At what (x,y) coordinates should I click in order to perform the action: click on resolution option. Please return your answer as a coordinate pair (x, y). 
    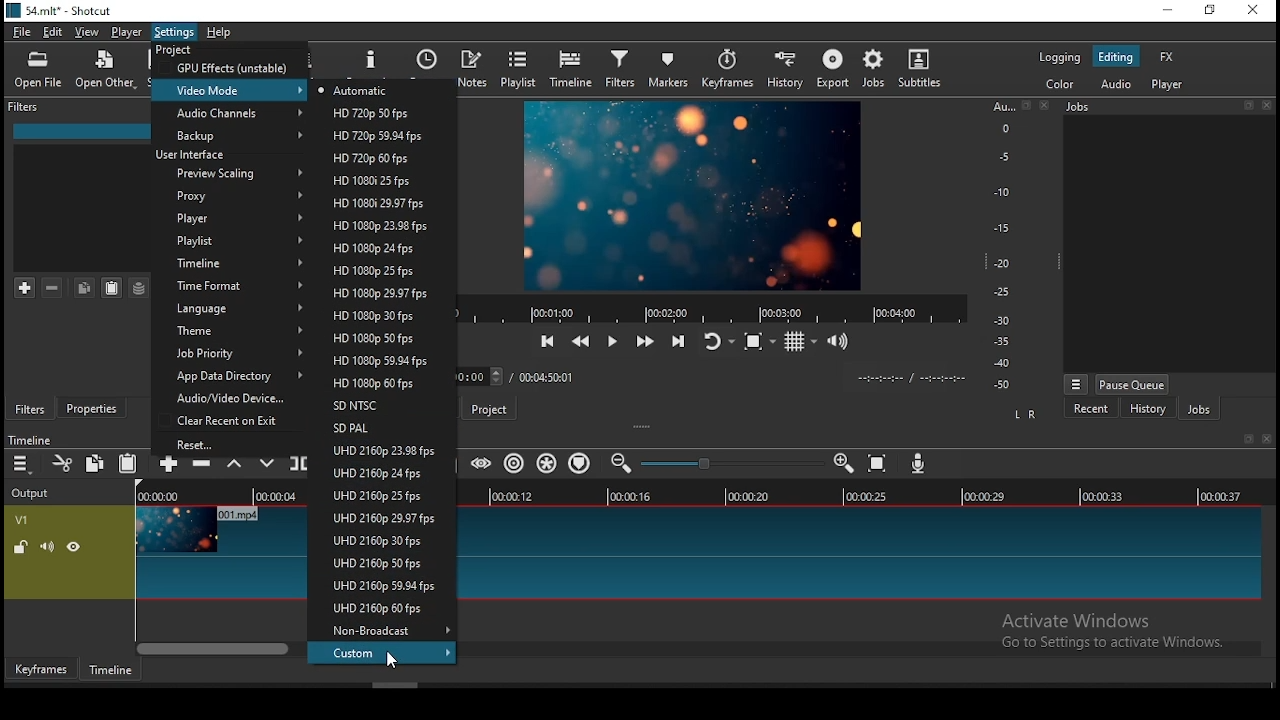
    Looking at the image, I should click on (379, 540).